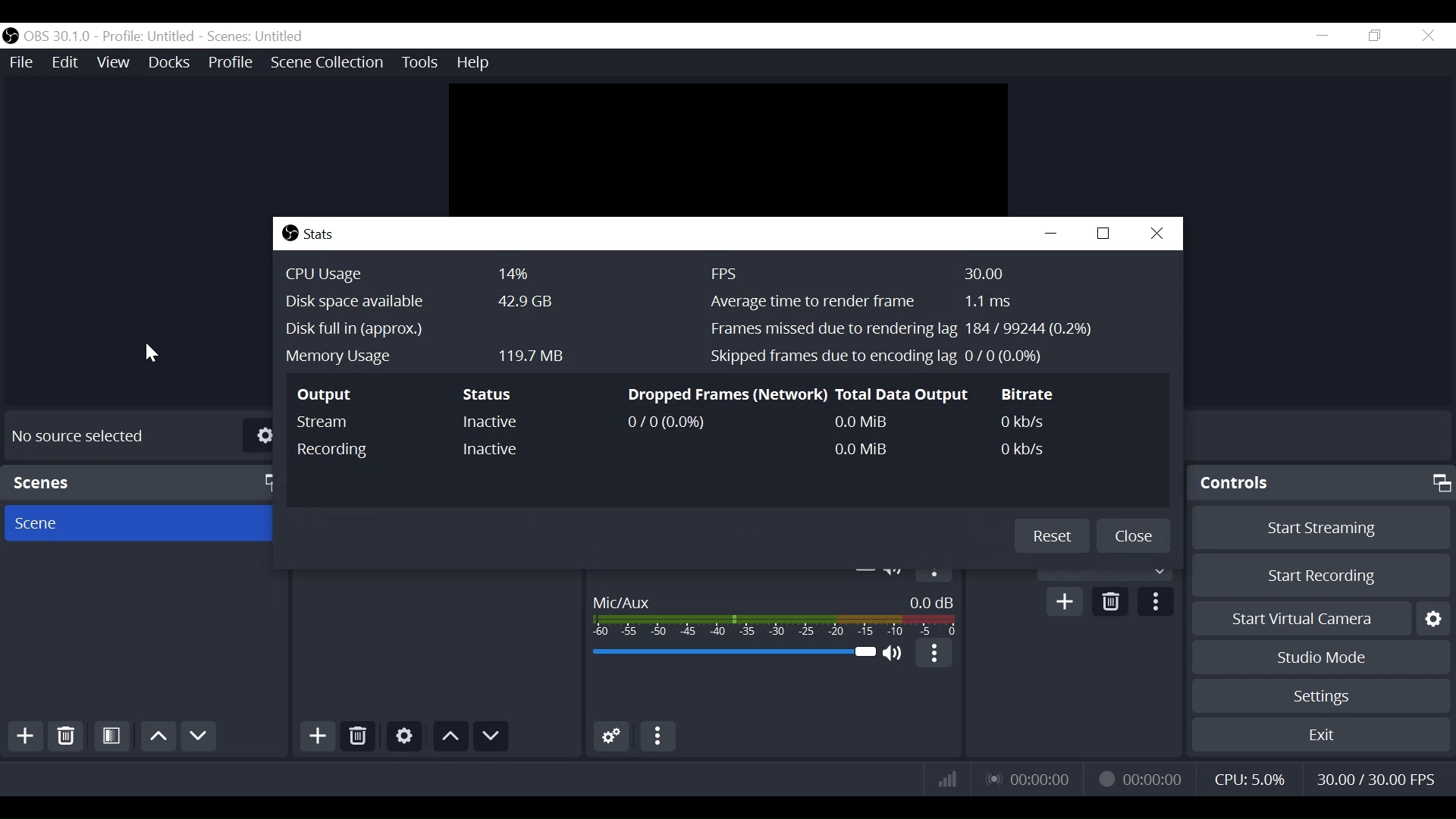  Describe the element at coordinates (316, 736) in the screenshot. I see `Add` at that location.